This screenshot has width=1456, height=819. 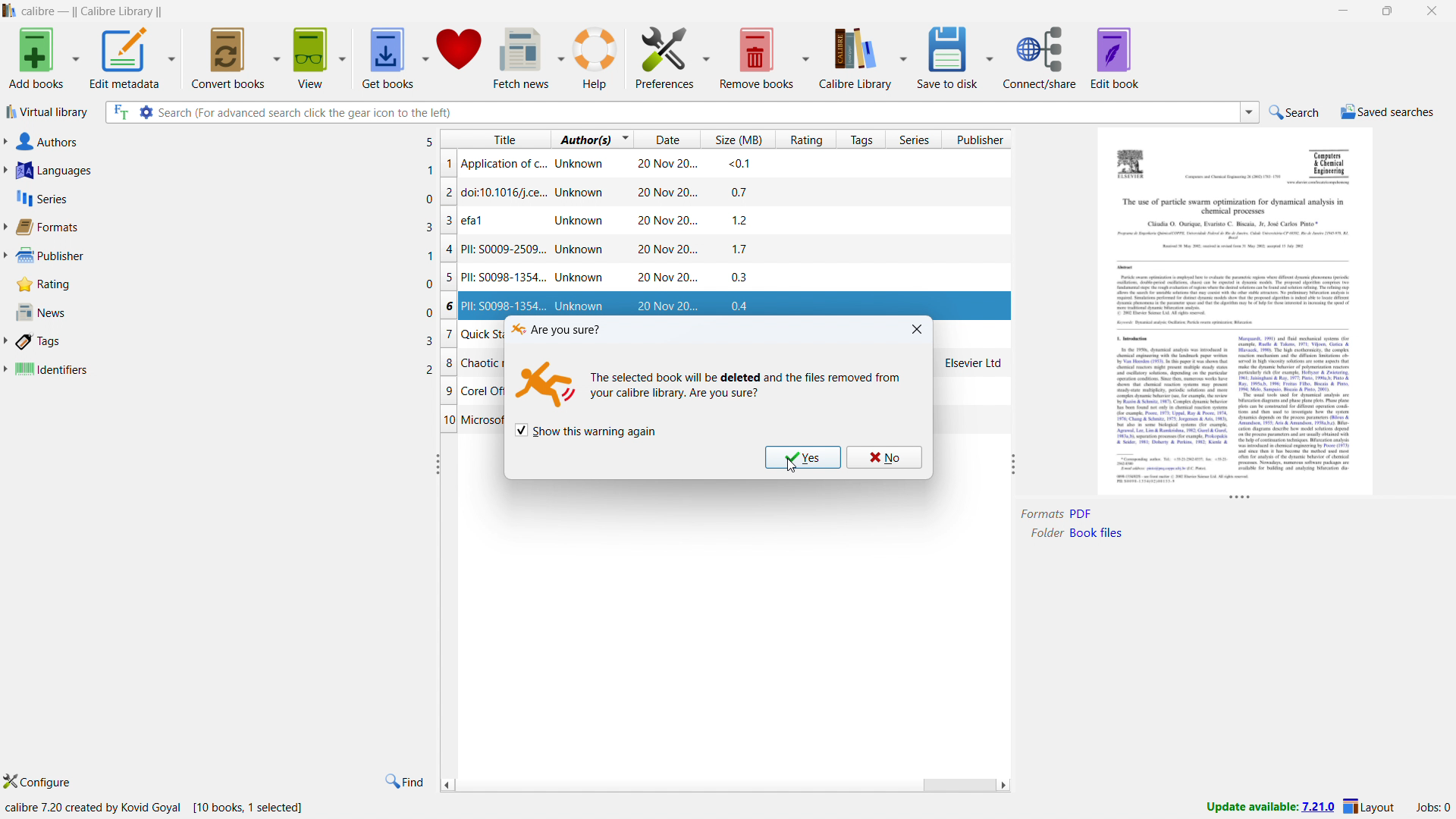 I want to click on scroll right, so click(x=1004, y=786).